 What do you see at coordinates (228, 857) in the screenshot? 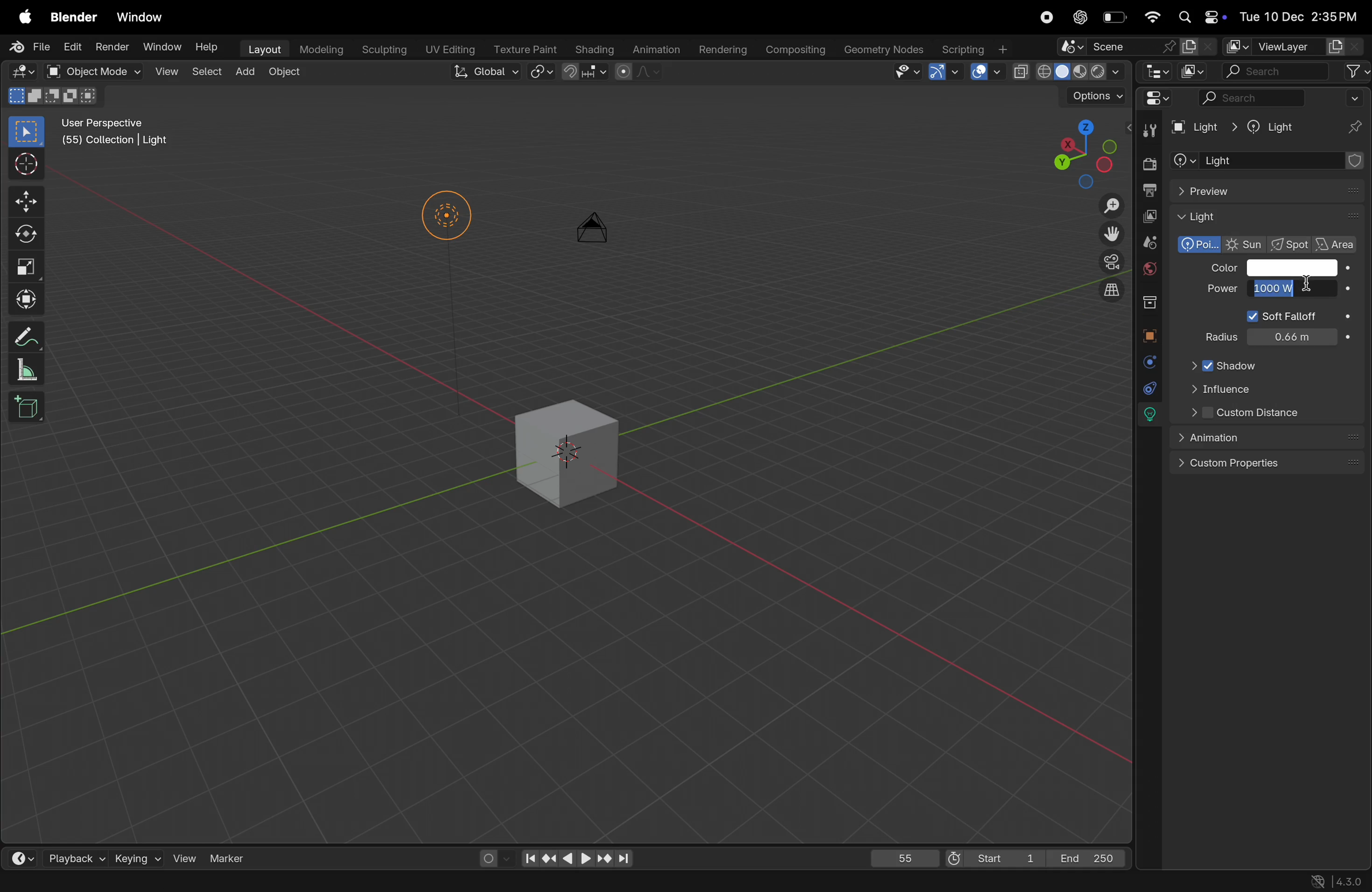
I see `marker` at bounding box center [228, 857].